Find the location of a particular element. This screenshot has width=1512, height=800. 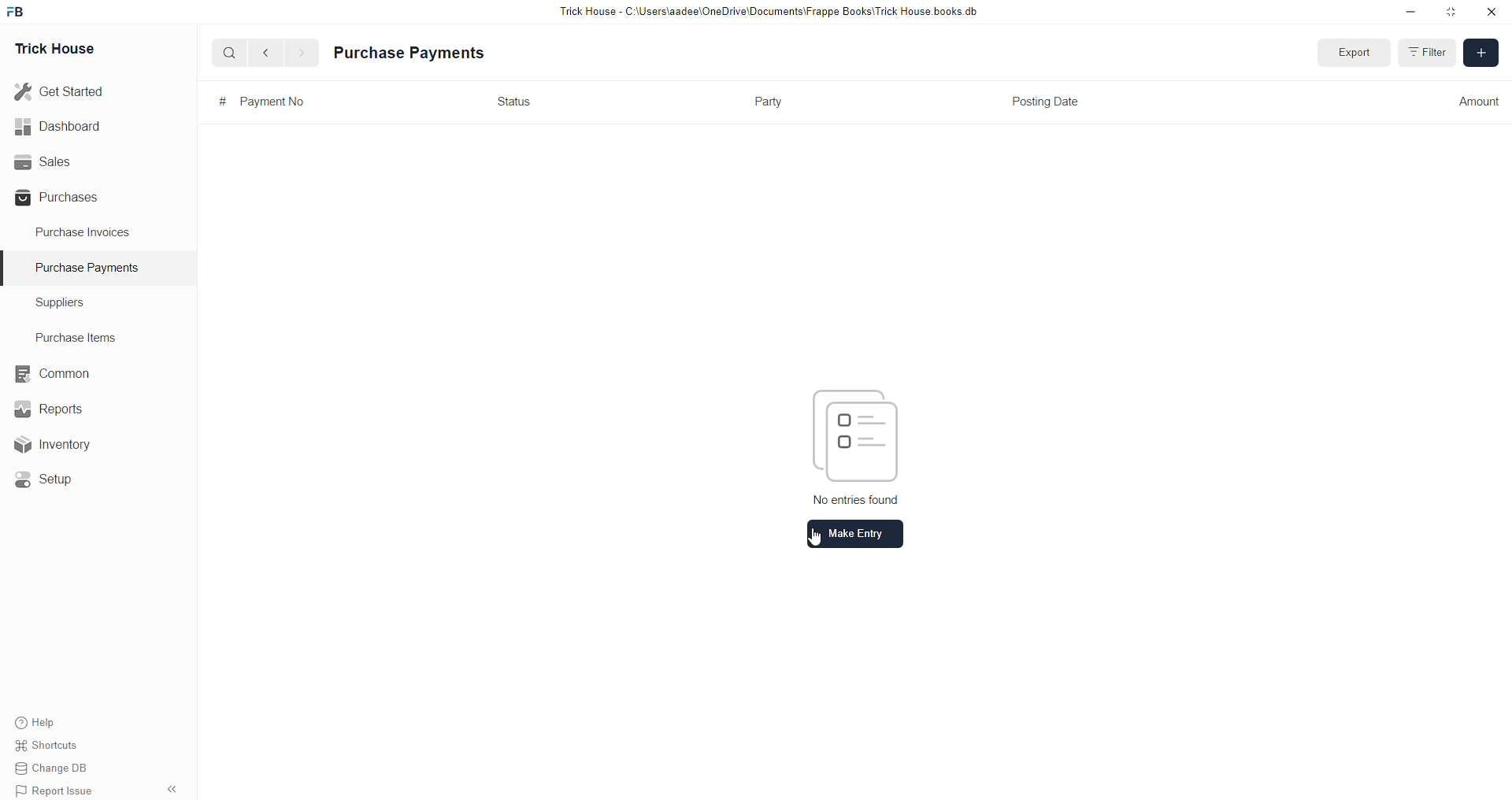

minimise down is located at coordinates (1408, 12).